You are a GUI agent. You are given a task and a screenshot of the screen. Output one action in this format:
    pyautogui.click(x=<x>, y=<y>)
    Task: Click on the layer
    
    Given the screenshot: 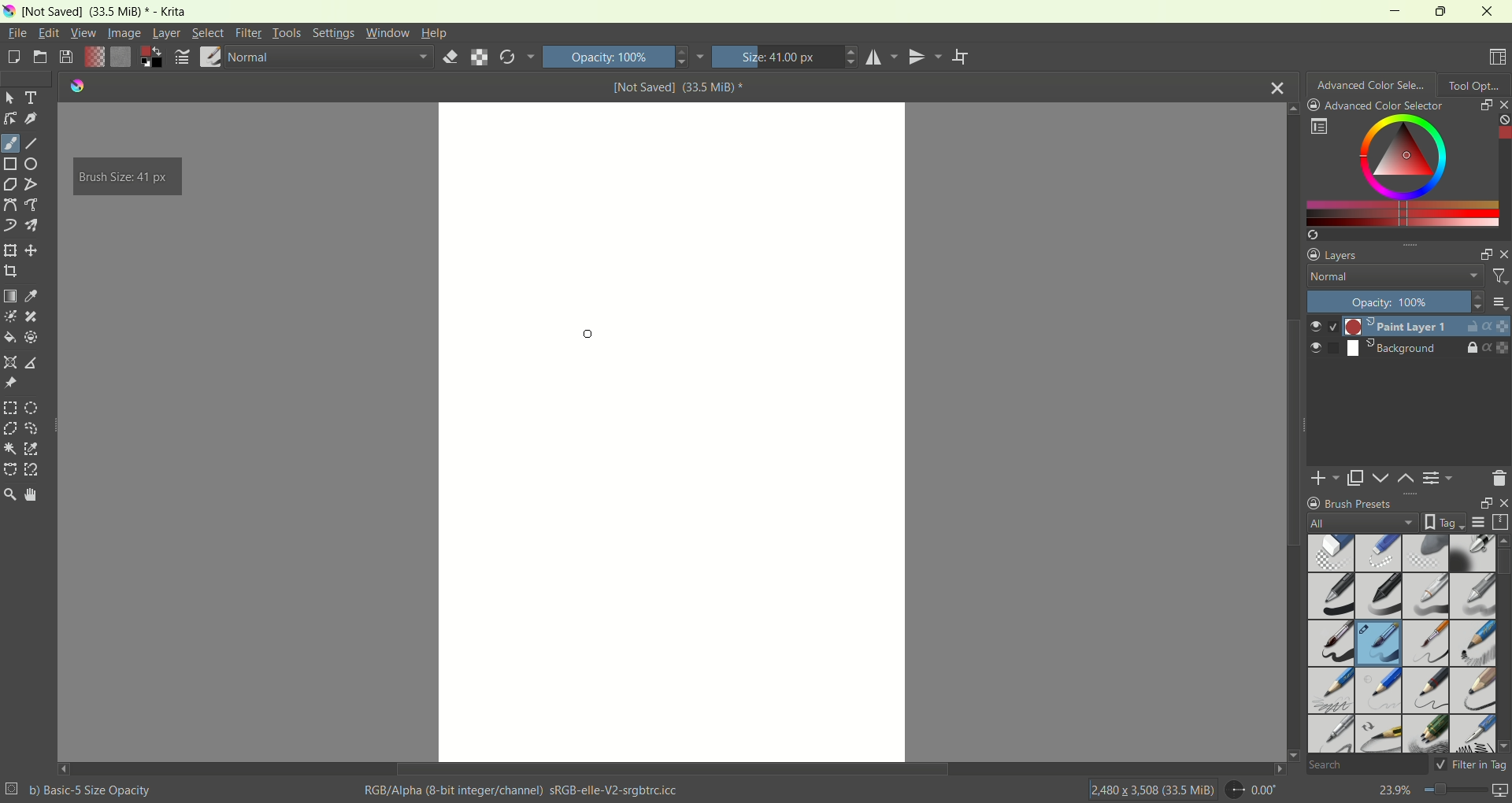 What is the action you would take?
    pyautogui.click(x=166, y=35)
    